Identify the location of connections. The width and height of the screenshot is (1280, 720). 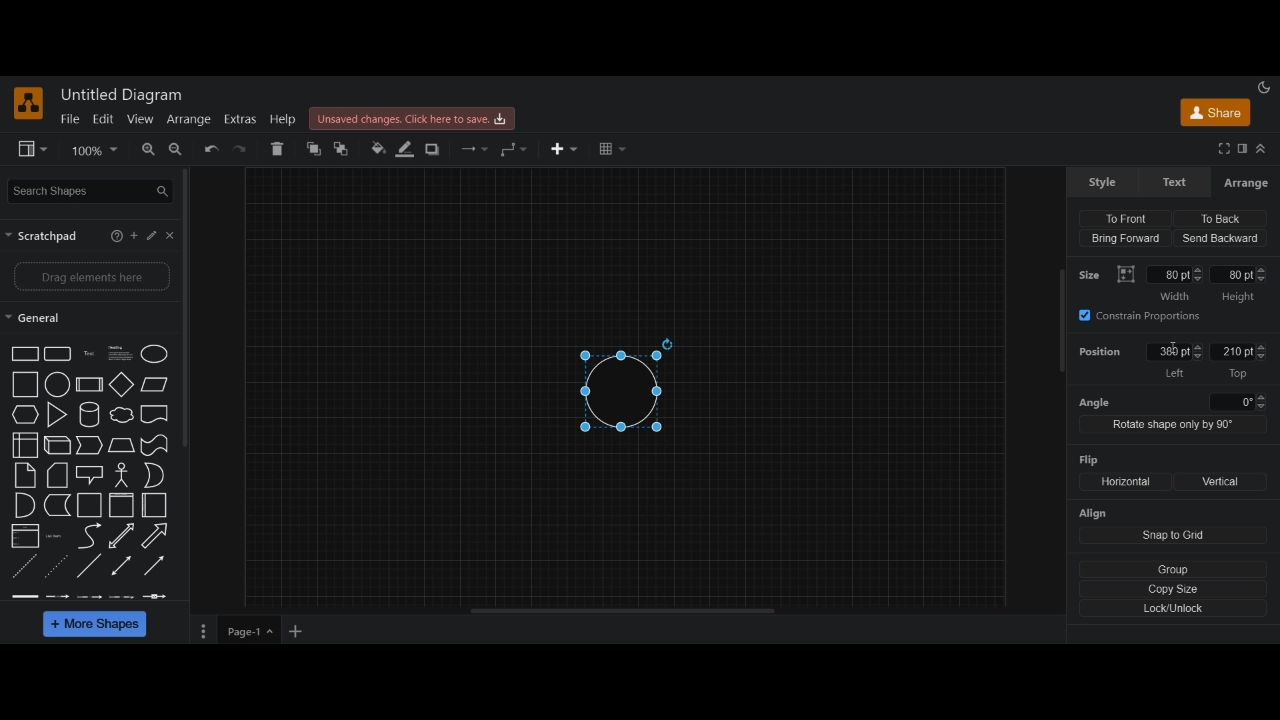
(473, 149).